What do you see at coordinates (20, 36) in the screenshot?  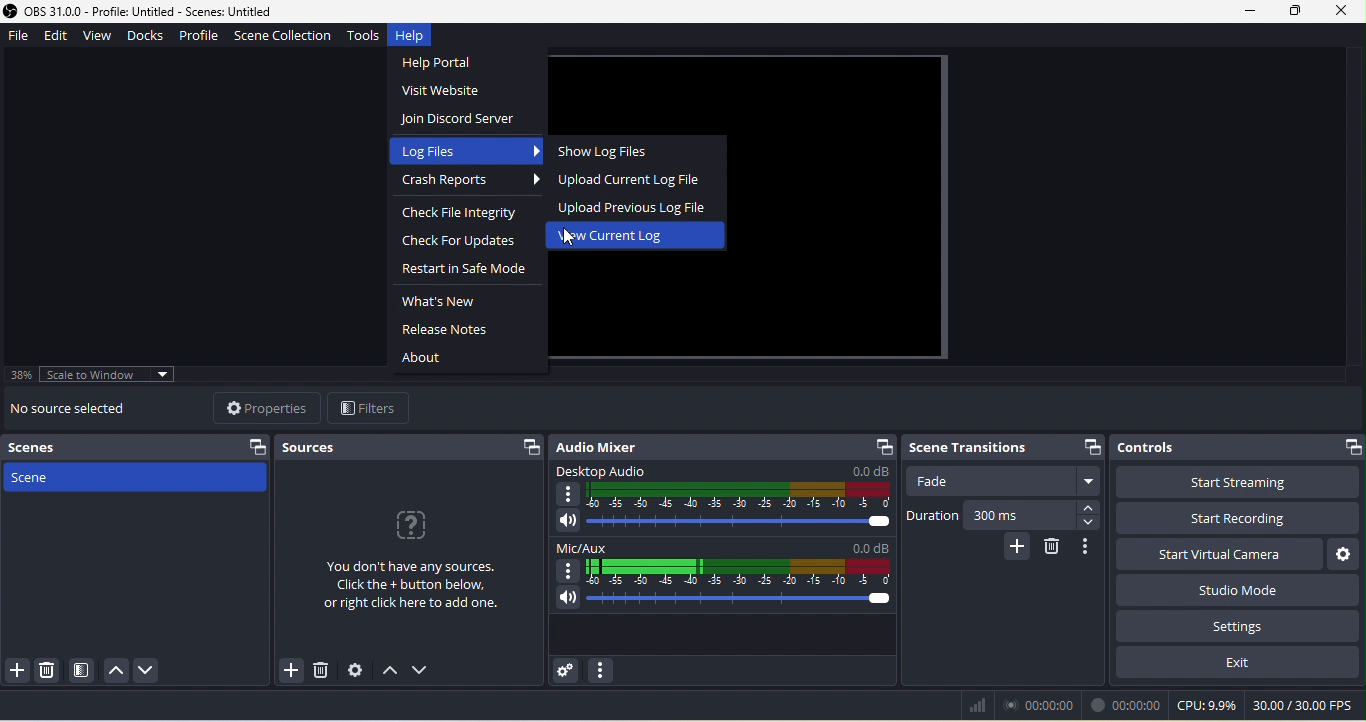 I see `file` at bounding box center [20, 36].